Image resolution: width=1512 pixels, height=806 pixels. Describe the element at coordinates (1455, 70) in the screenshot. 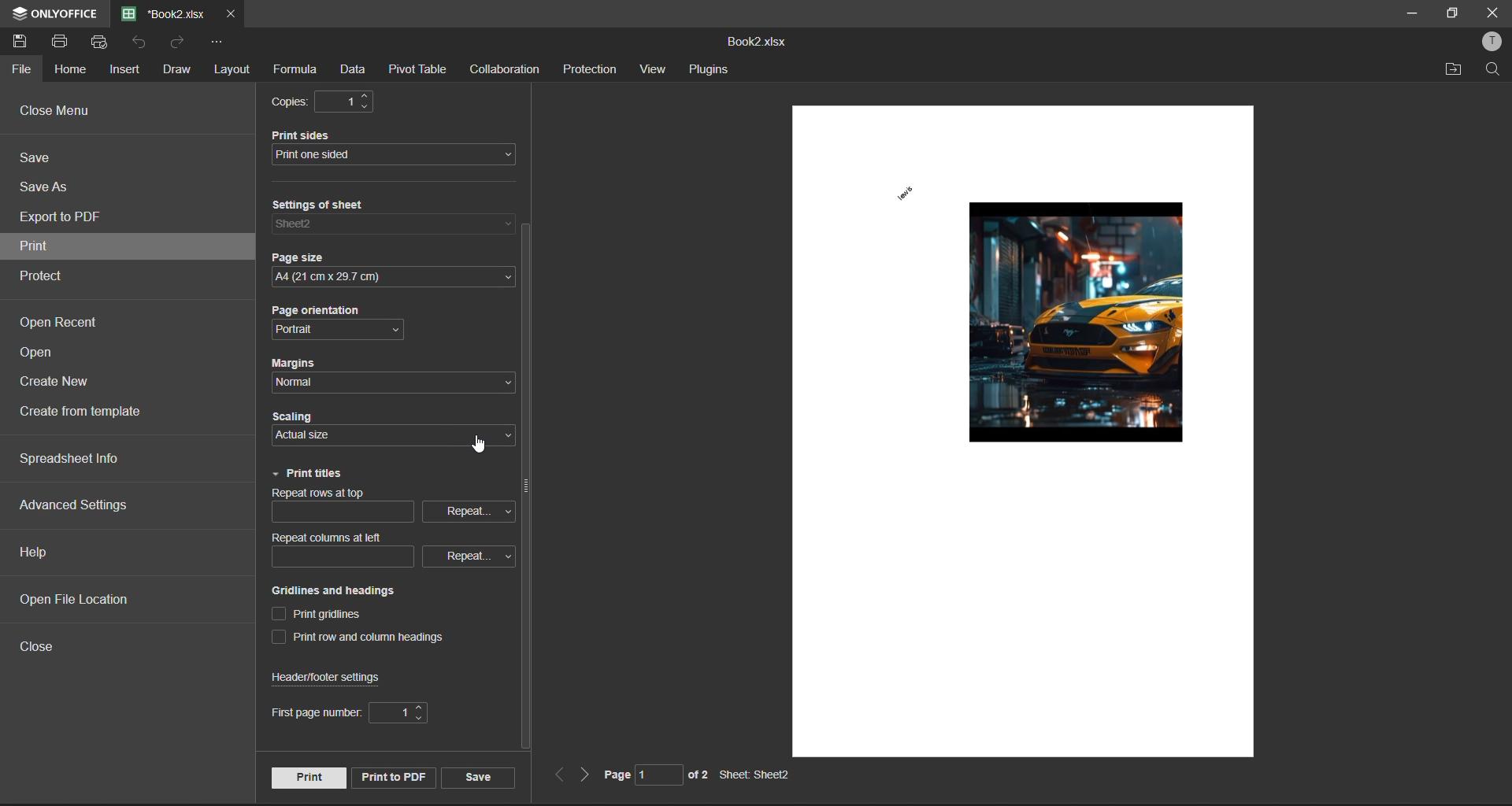

I see `open location` at that location.